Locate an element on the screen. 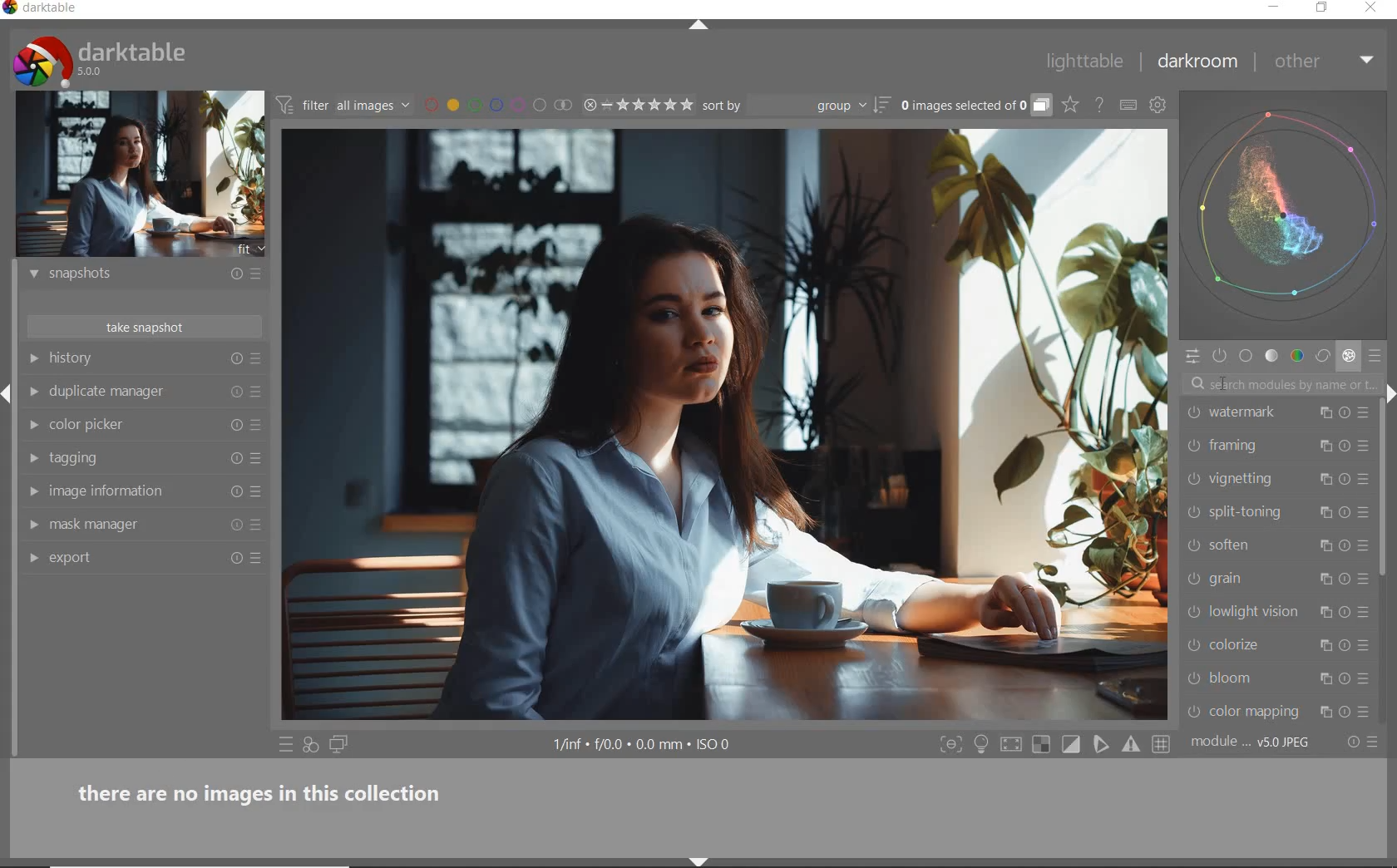 Image resolution: width=1397 pixels, height=868 pixels. reset is located at coordinates (232, 276).